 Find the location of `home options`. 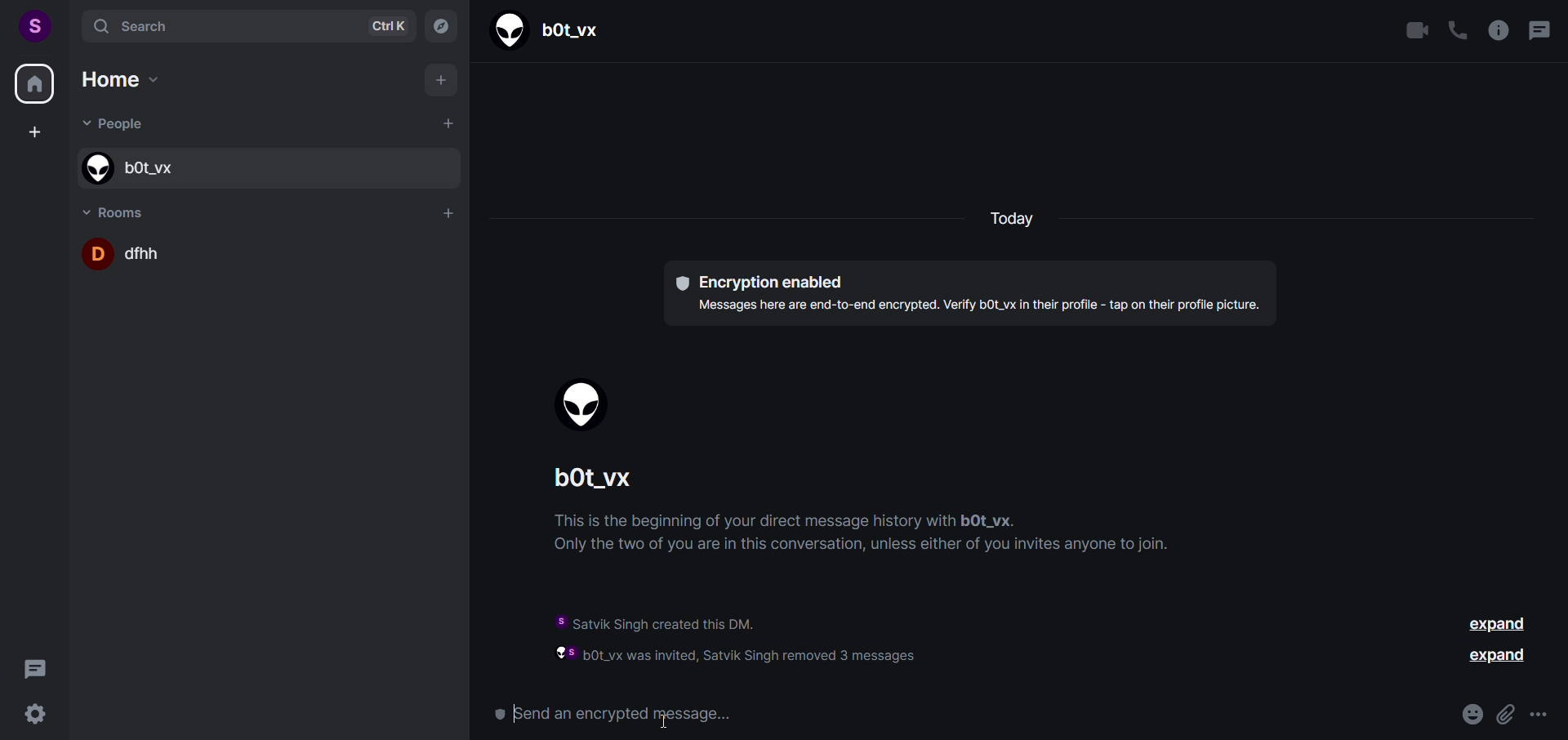

home options is located at coordinates (134, 83).